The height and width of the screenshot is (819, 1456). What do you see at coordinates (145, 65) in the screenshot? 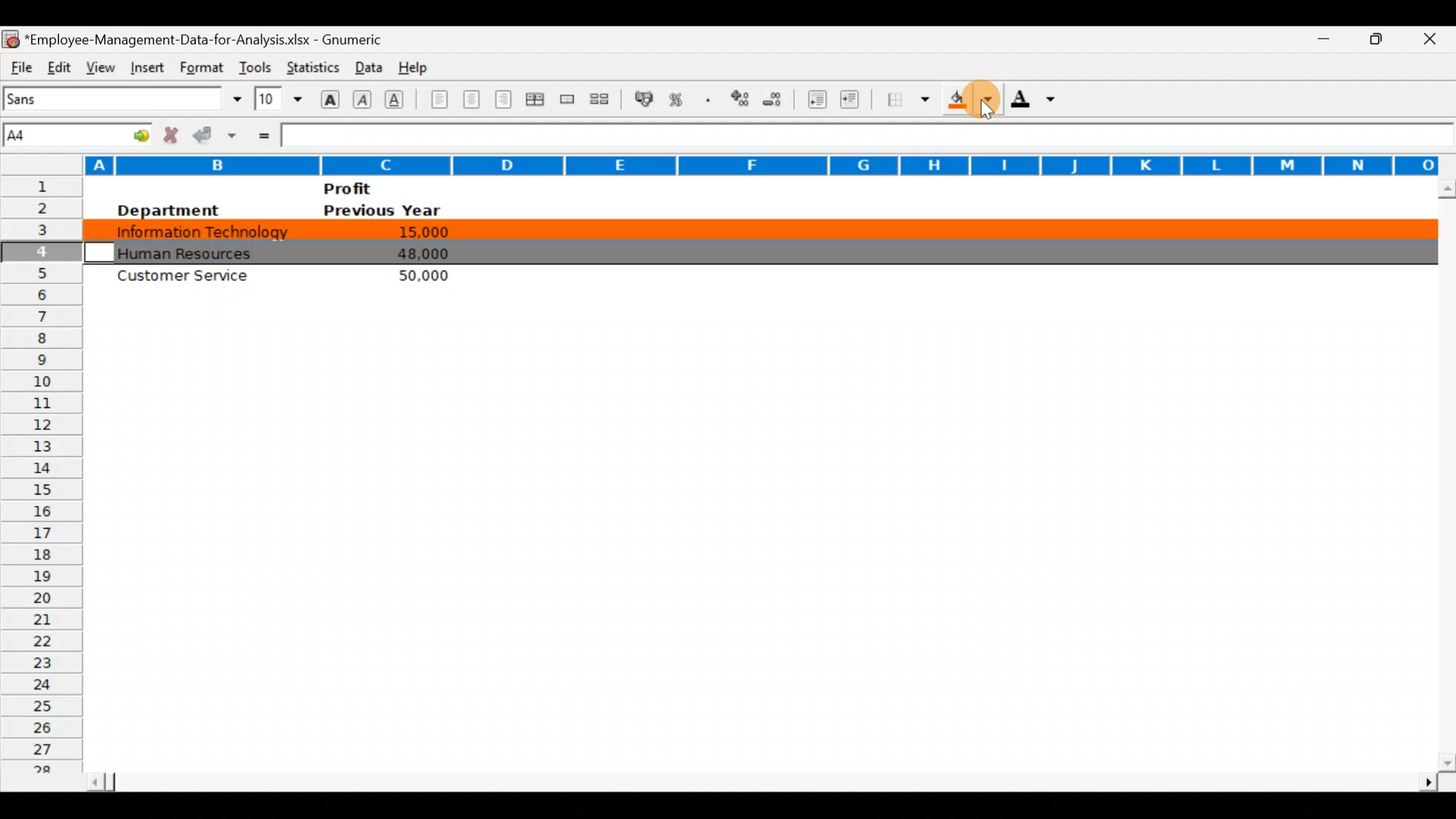
I see `Insert` at bounding box center [145, 65].